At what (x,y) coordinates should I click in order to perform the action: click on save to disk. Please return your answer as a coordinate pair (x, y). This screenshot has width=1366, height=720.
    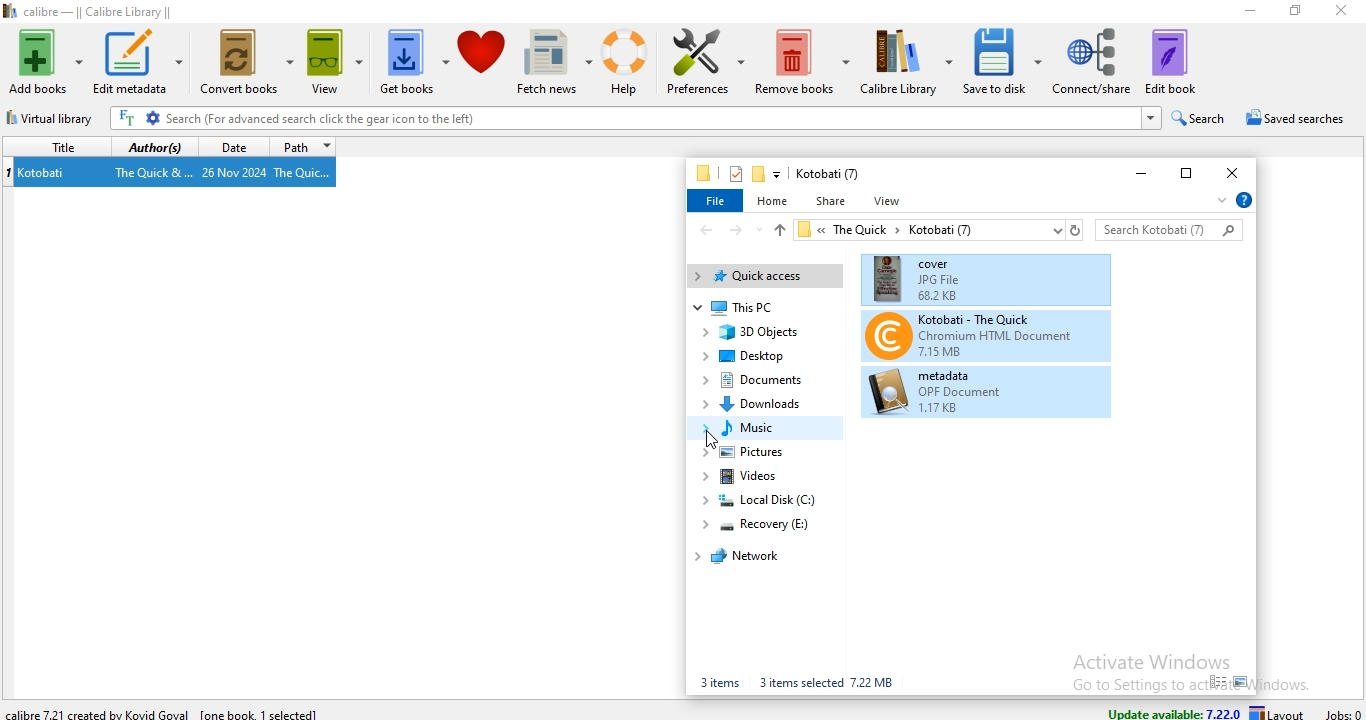
    Looking at the image, I should click on (1003, 60).